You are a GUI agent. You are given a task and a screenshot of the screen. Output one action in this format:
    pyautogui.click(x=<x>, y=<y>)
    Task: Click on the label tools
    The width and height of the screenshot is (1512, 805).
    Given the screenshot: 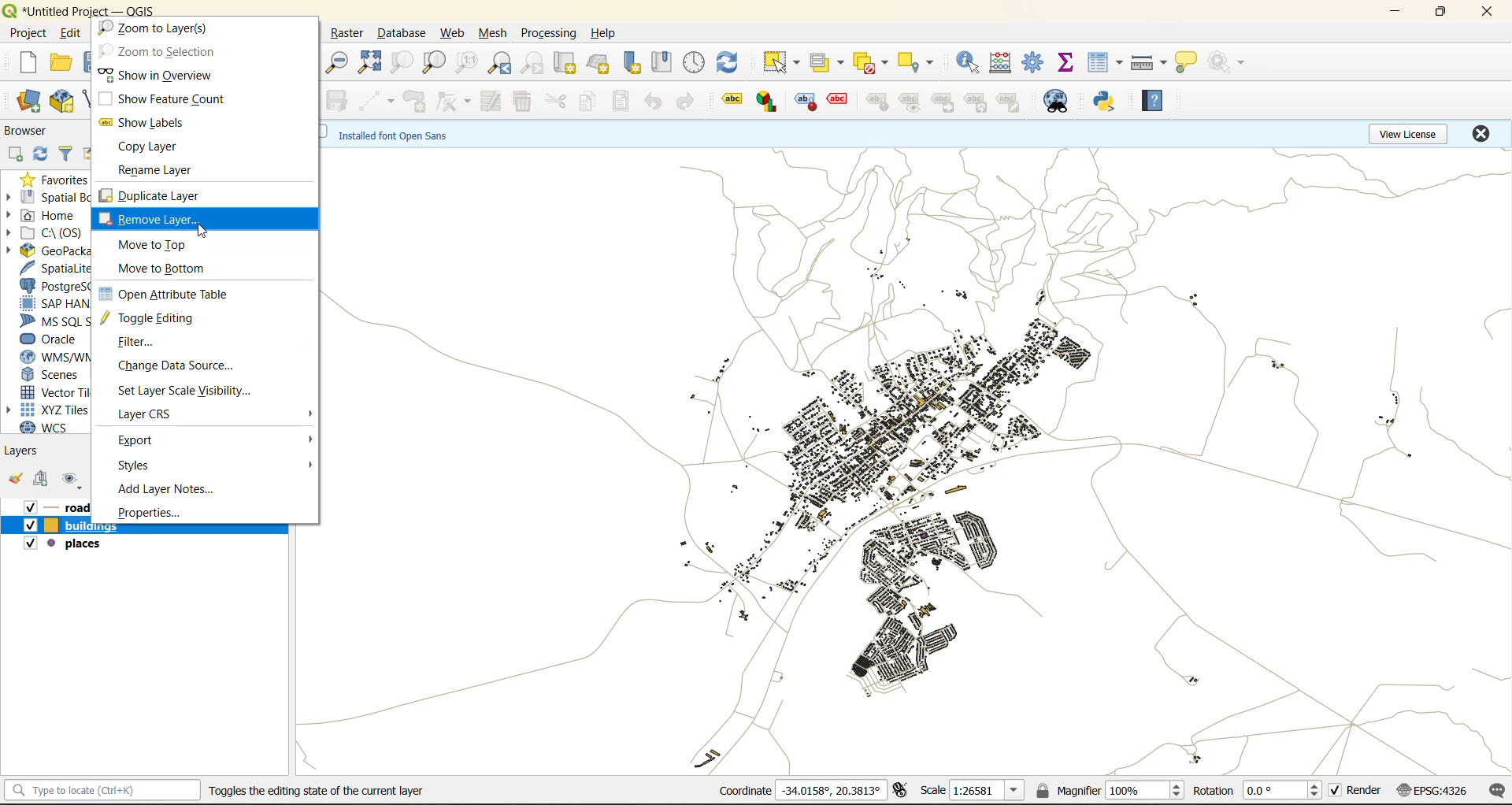 What is the action you would take?
    pyautogui.click(x=876, y=103)
    